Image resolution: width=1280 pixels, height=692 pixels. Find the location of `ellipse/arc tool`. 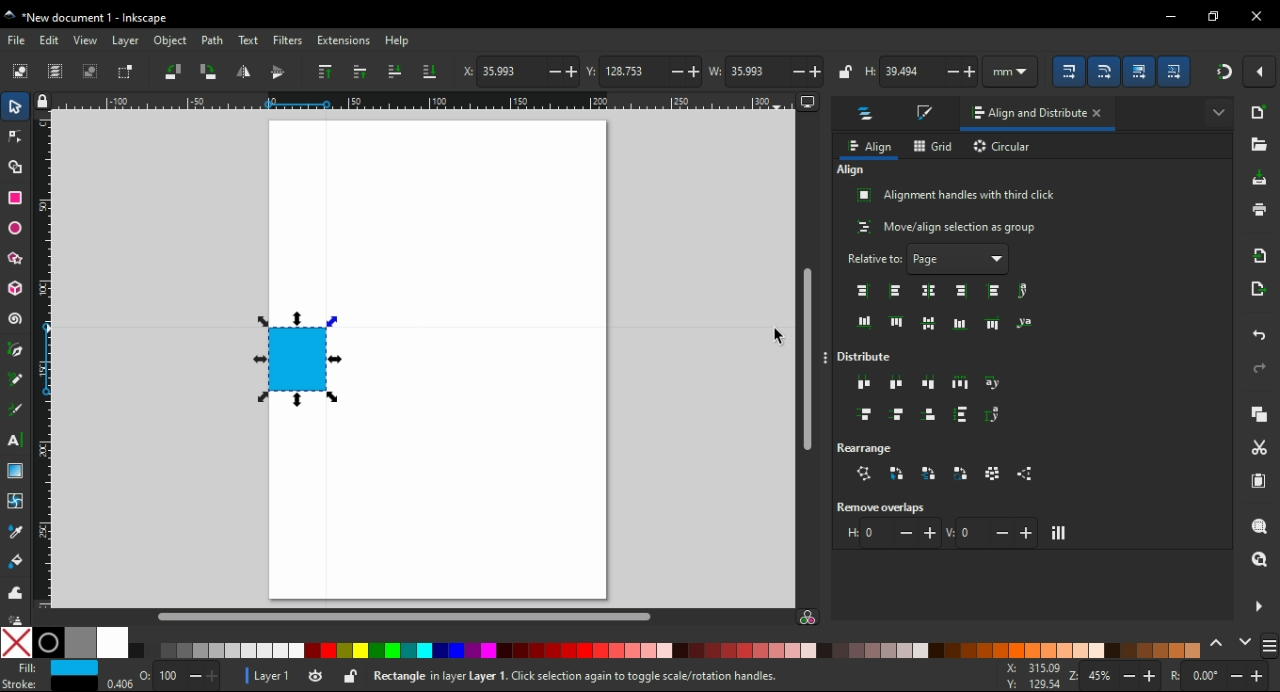

ellipse/arc tool is located at coordinates (16, 229).